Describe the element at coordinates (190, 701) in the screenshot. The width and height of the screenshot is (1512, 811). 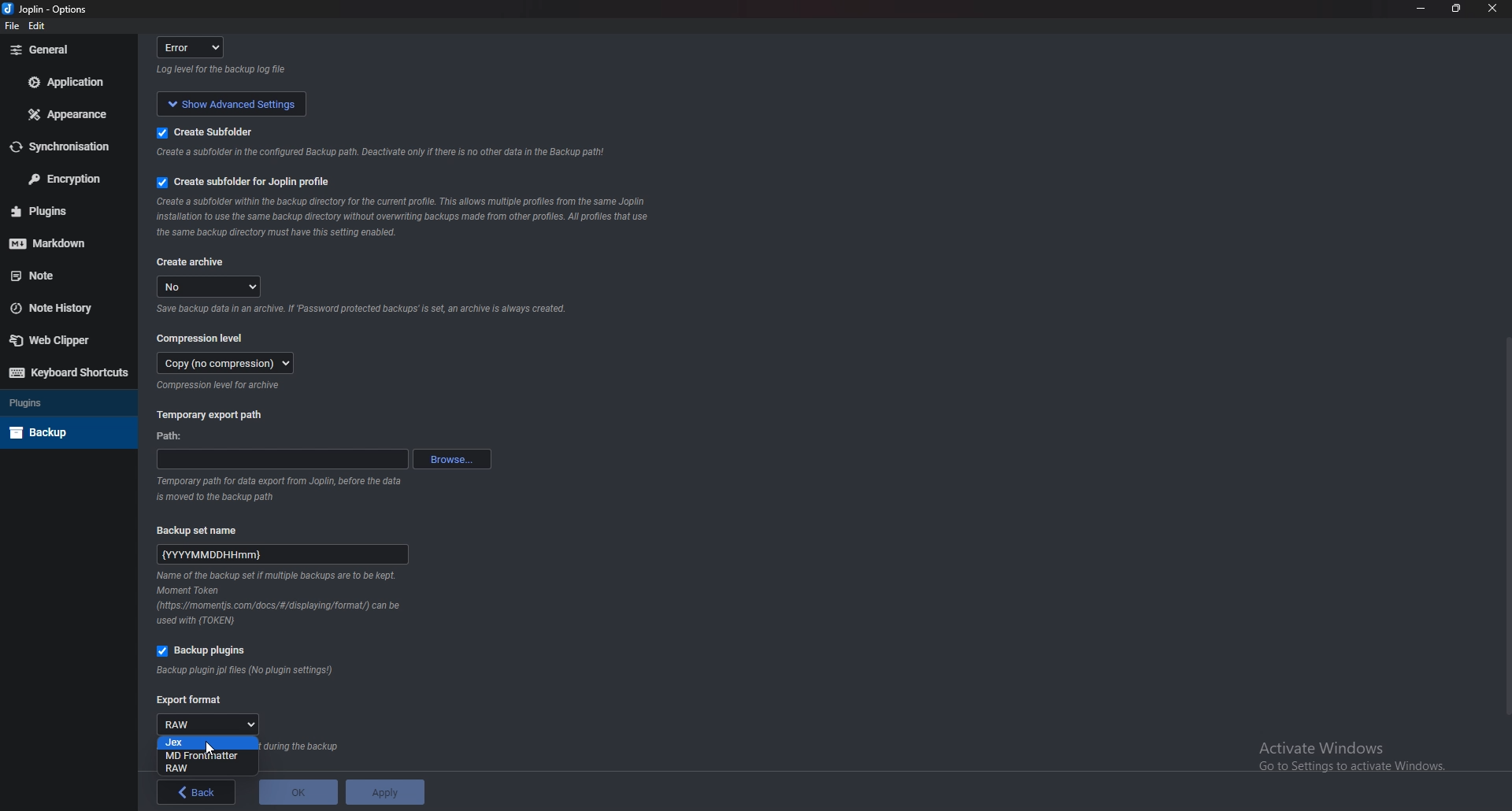
I see `Export format` at that location.